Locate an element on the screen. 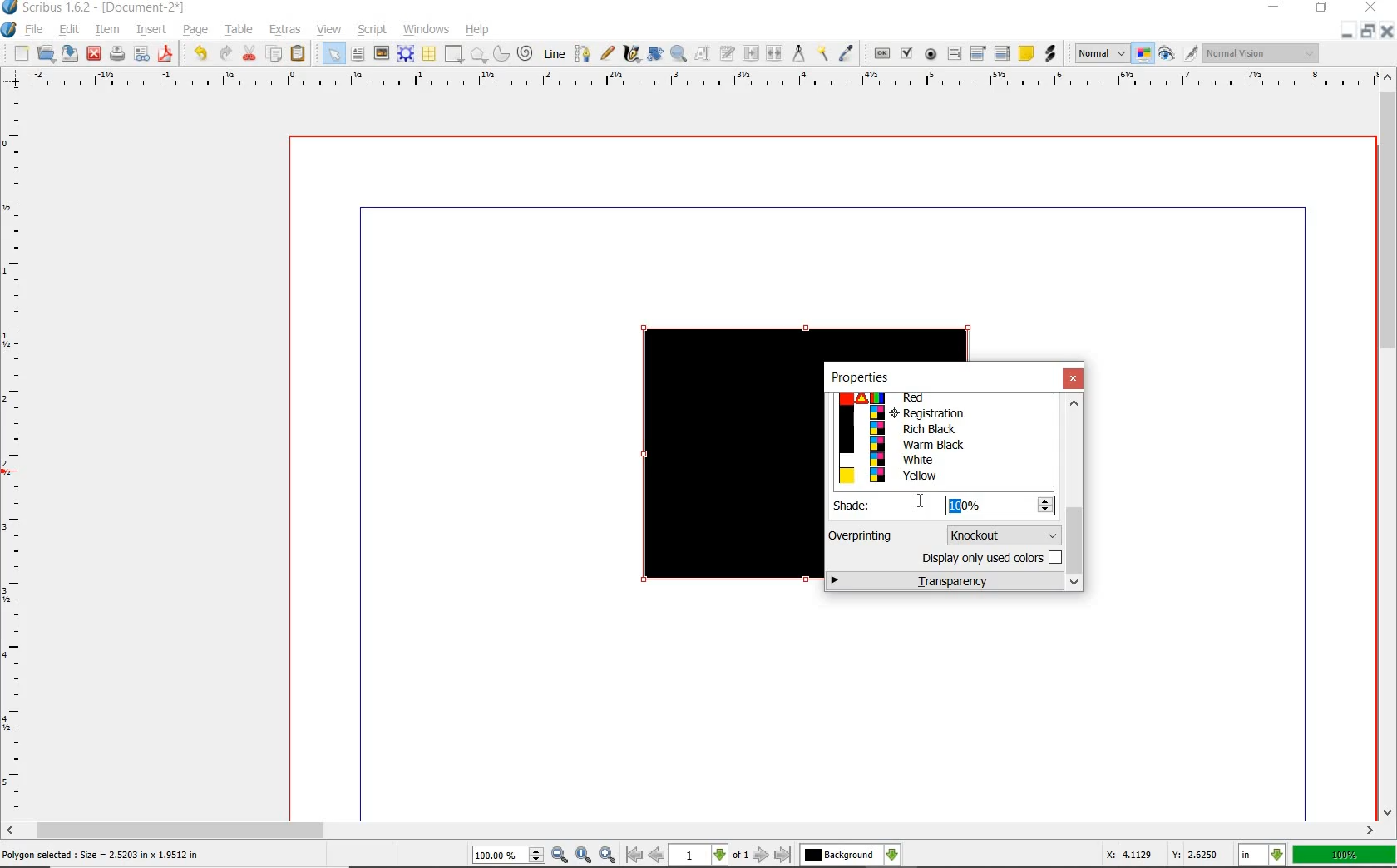  CLOSE is located at coordinates (1372, 9).